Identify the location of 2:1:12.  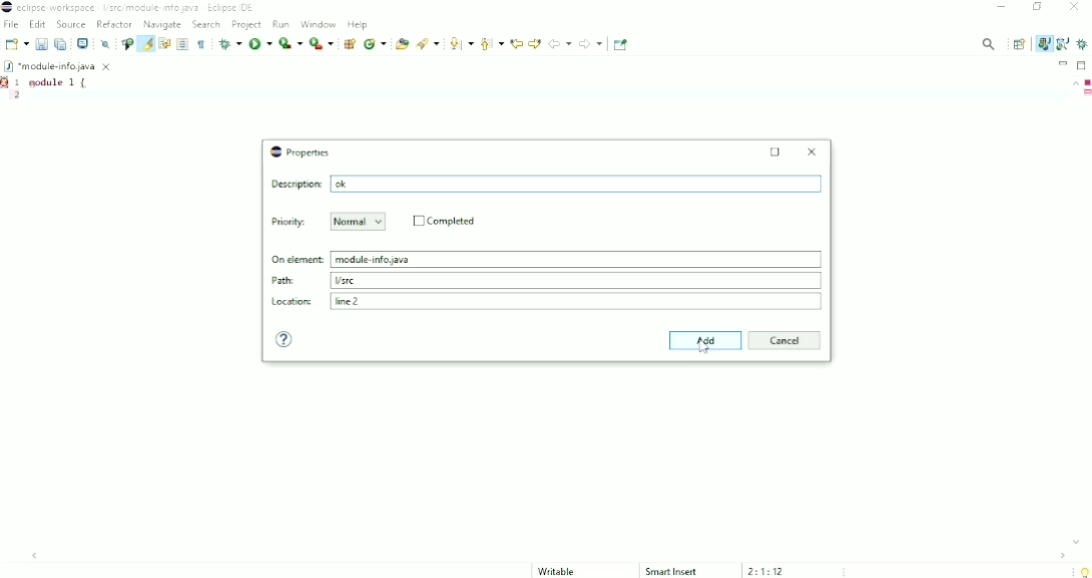
(767, 571).